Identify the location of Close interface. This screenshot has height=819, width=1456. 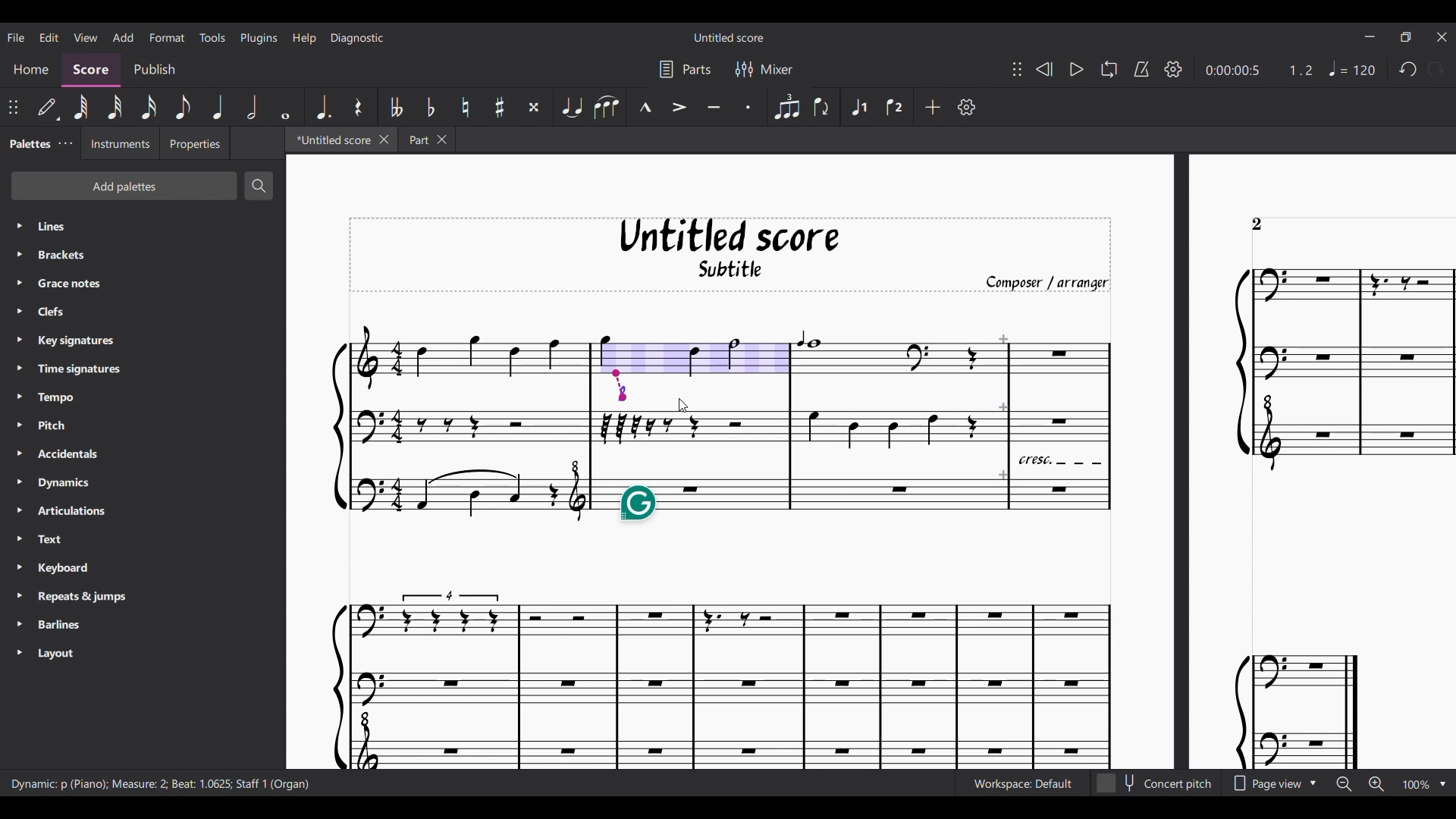
(1442, 37).